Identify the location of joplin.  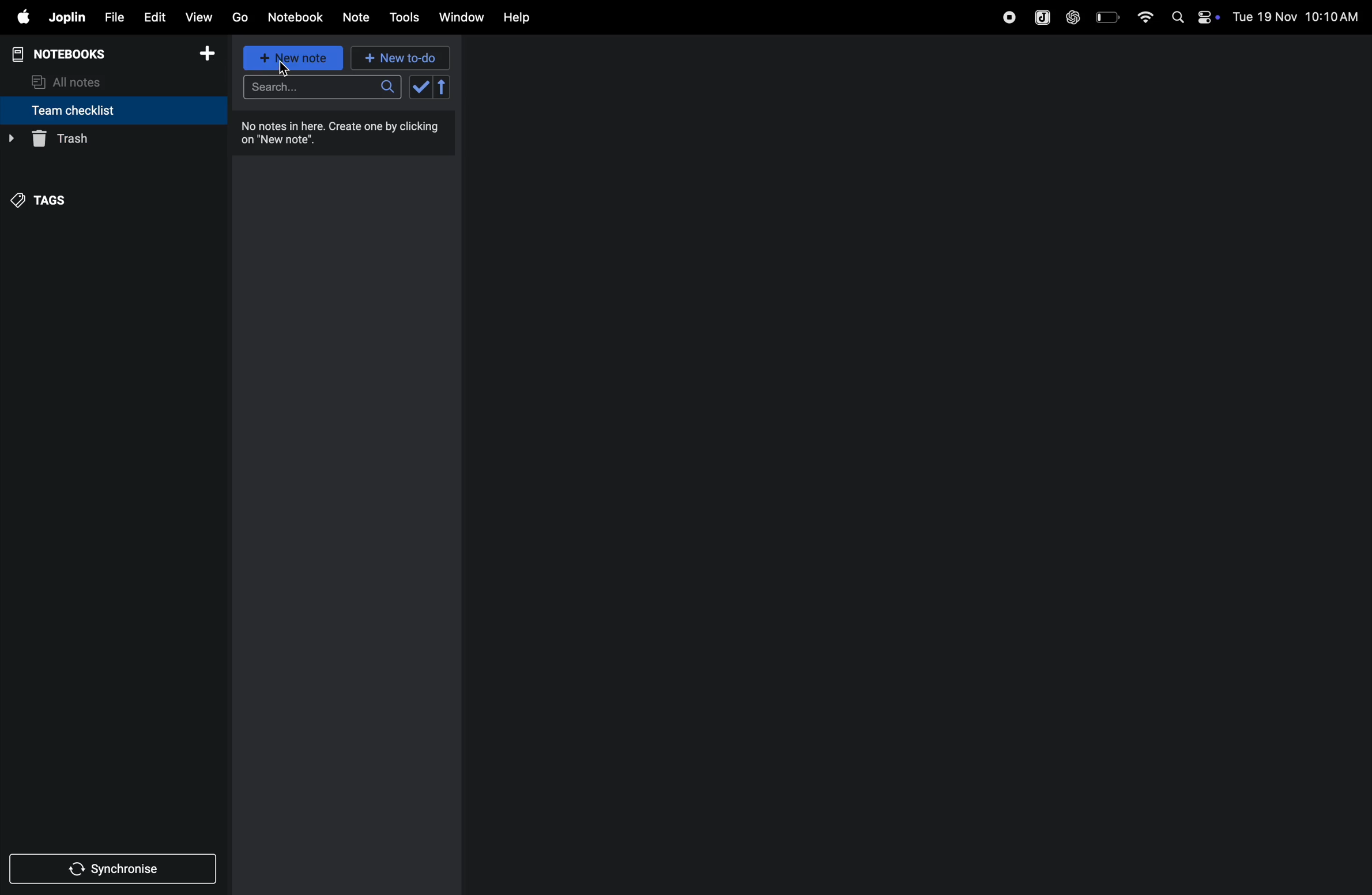
(1039, 16).